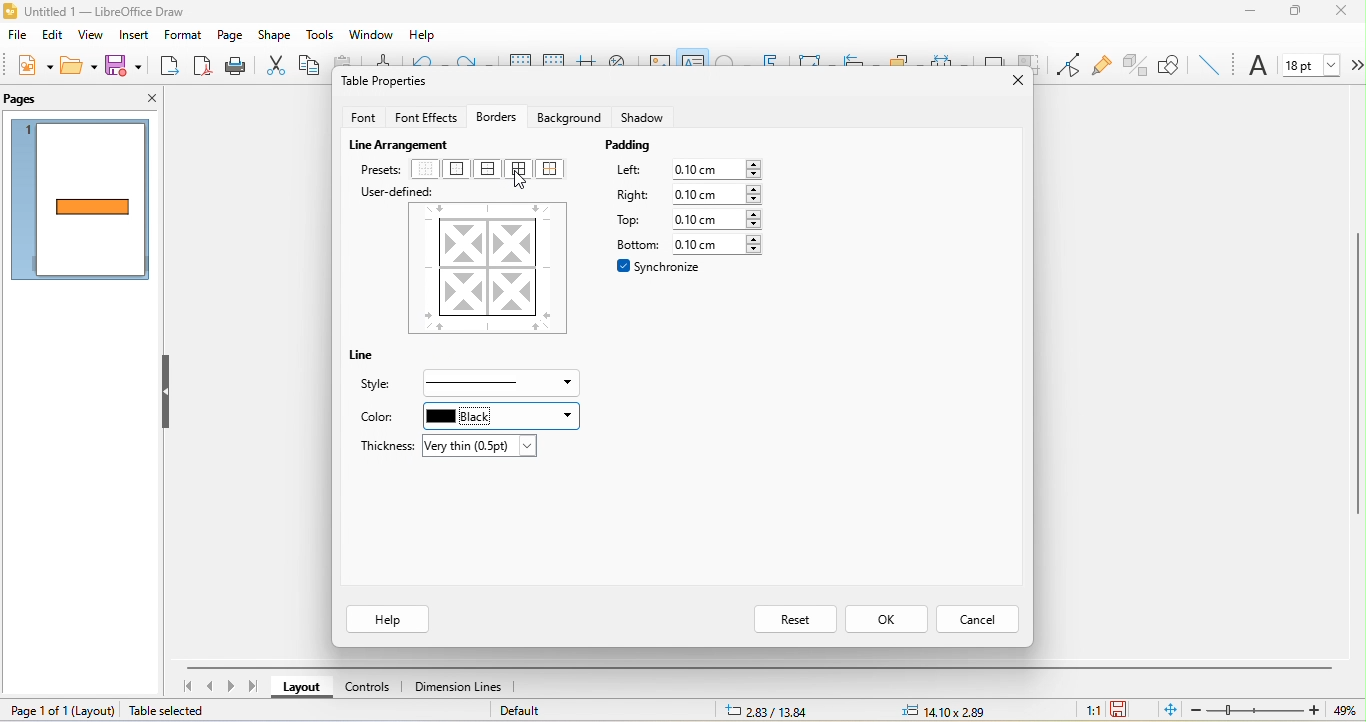  What do you see at coordinates (33, 64) in the screenshot?
I see `new` at bounding box center [33, 64].